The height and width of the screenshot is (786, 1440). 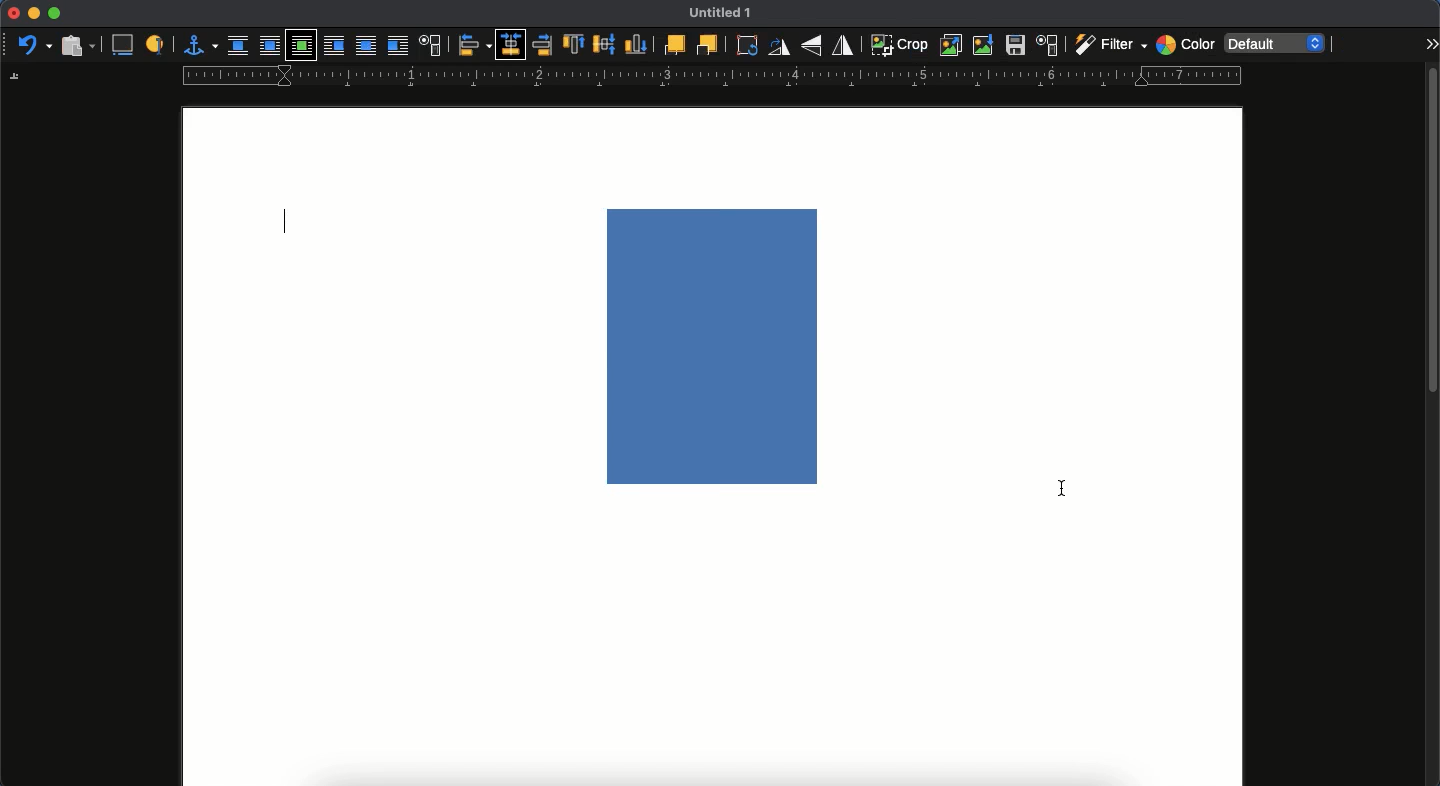 What do you see at coordinates (475, 47) in the screenshot?
I see `objects` at bounding box center [475, 47].